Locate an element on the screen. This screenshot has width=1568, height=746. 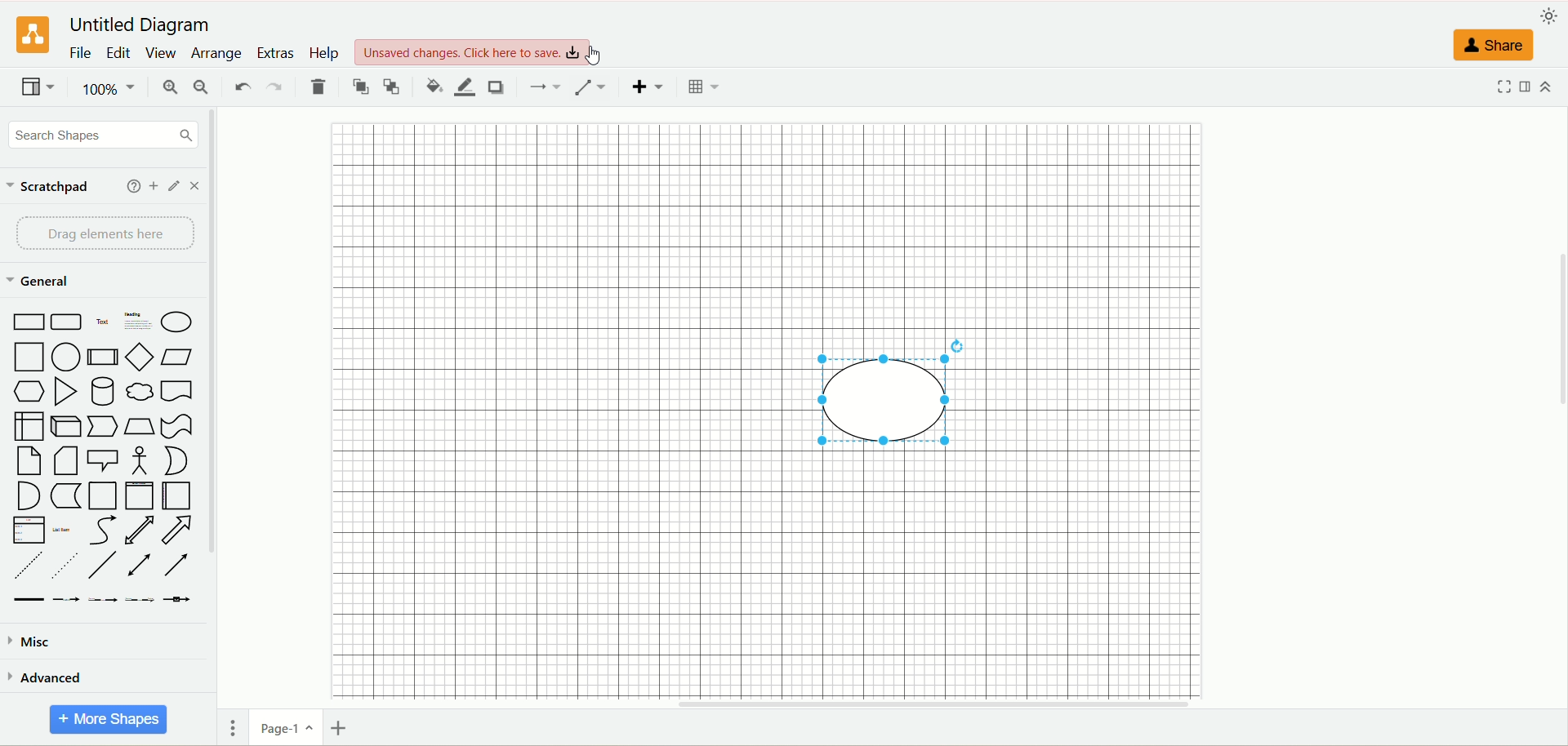
or is located at coordinates (180, 461).